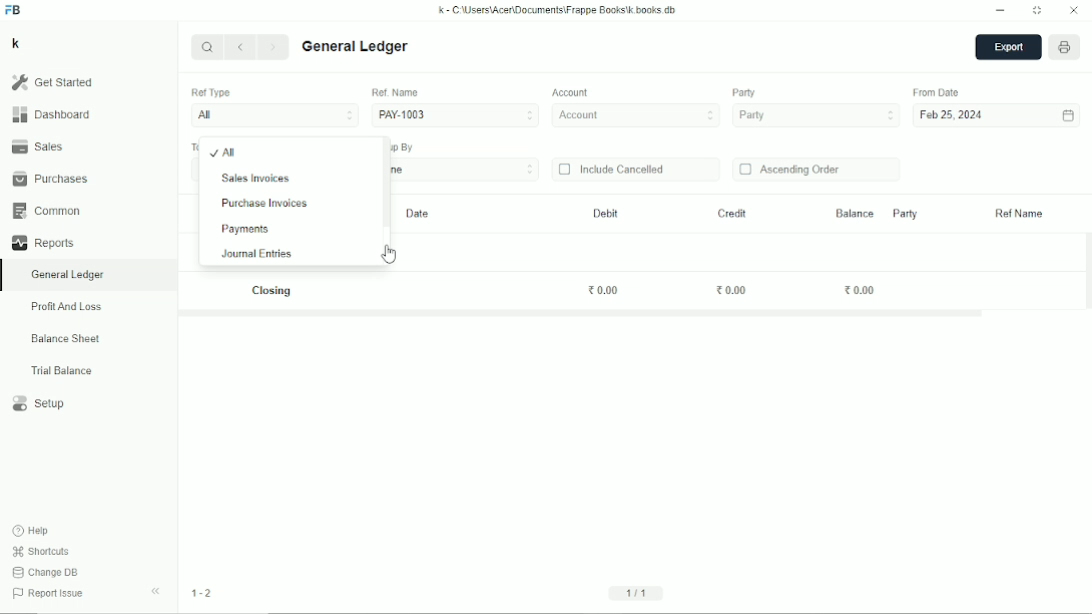 This screenshot has width=1092, height=614. What do you see at coordinates (395, 92) in the screenshot?
I see `Ref. Name` at bounding box center [395, 92].